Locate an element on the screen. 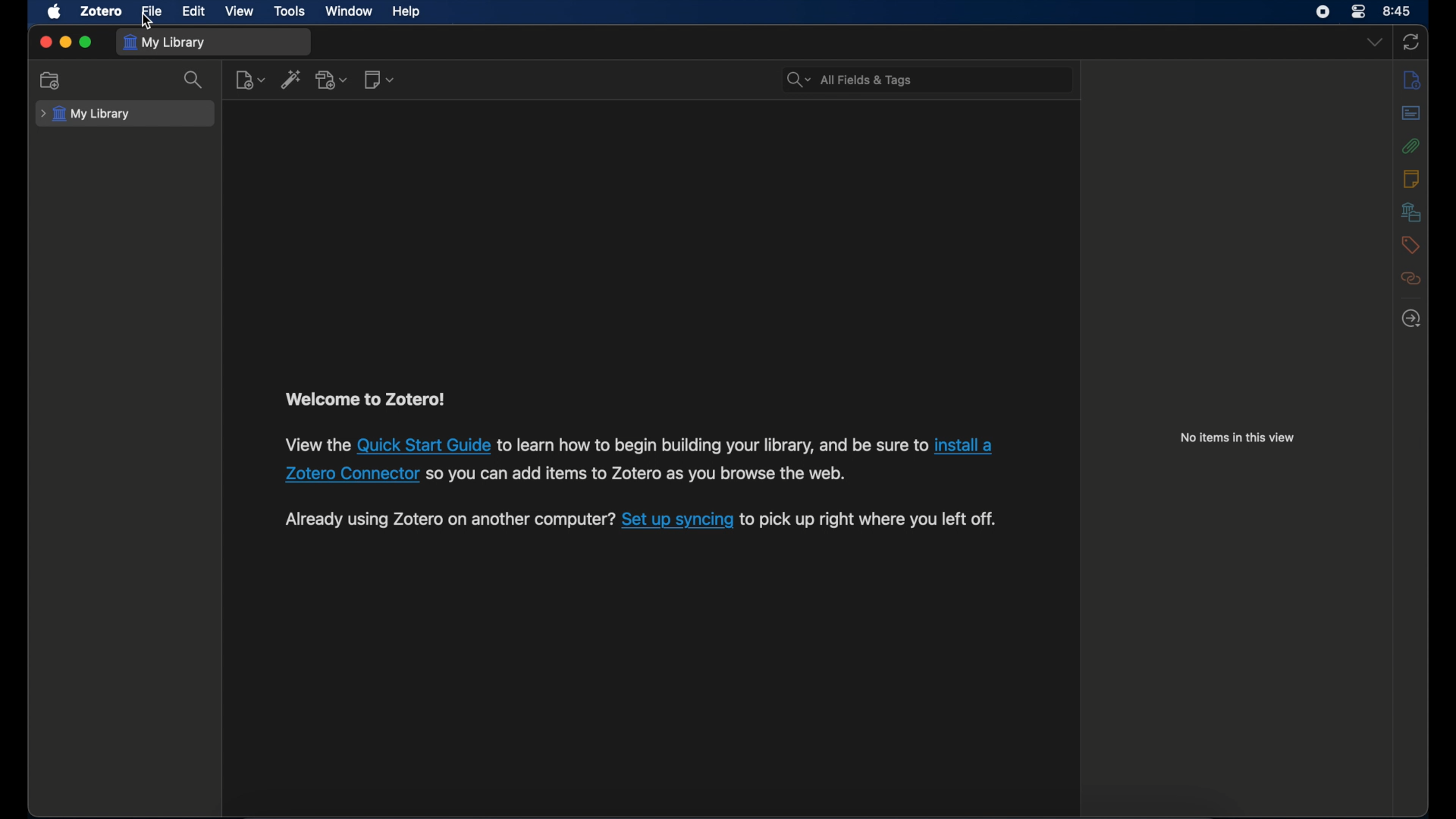 The height and width of the screenshot is (819, 1456). minimize is located at coordinates (65, 42).